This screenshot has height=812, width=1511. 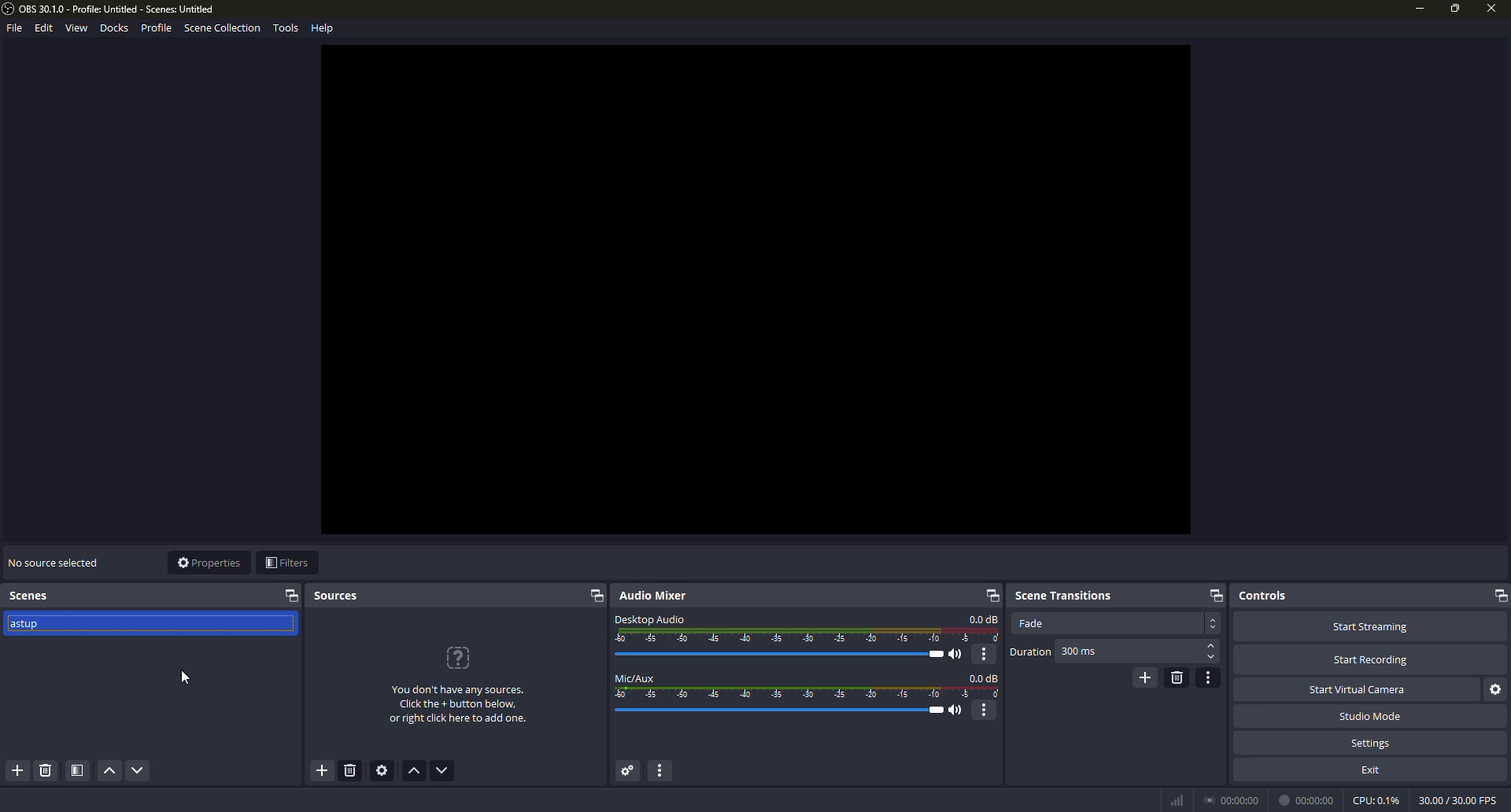 I want to click on obs profile, so click(x=114, y=9).